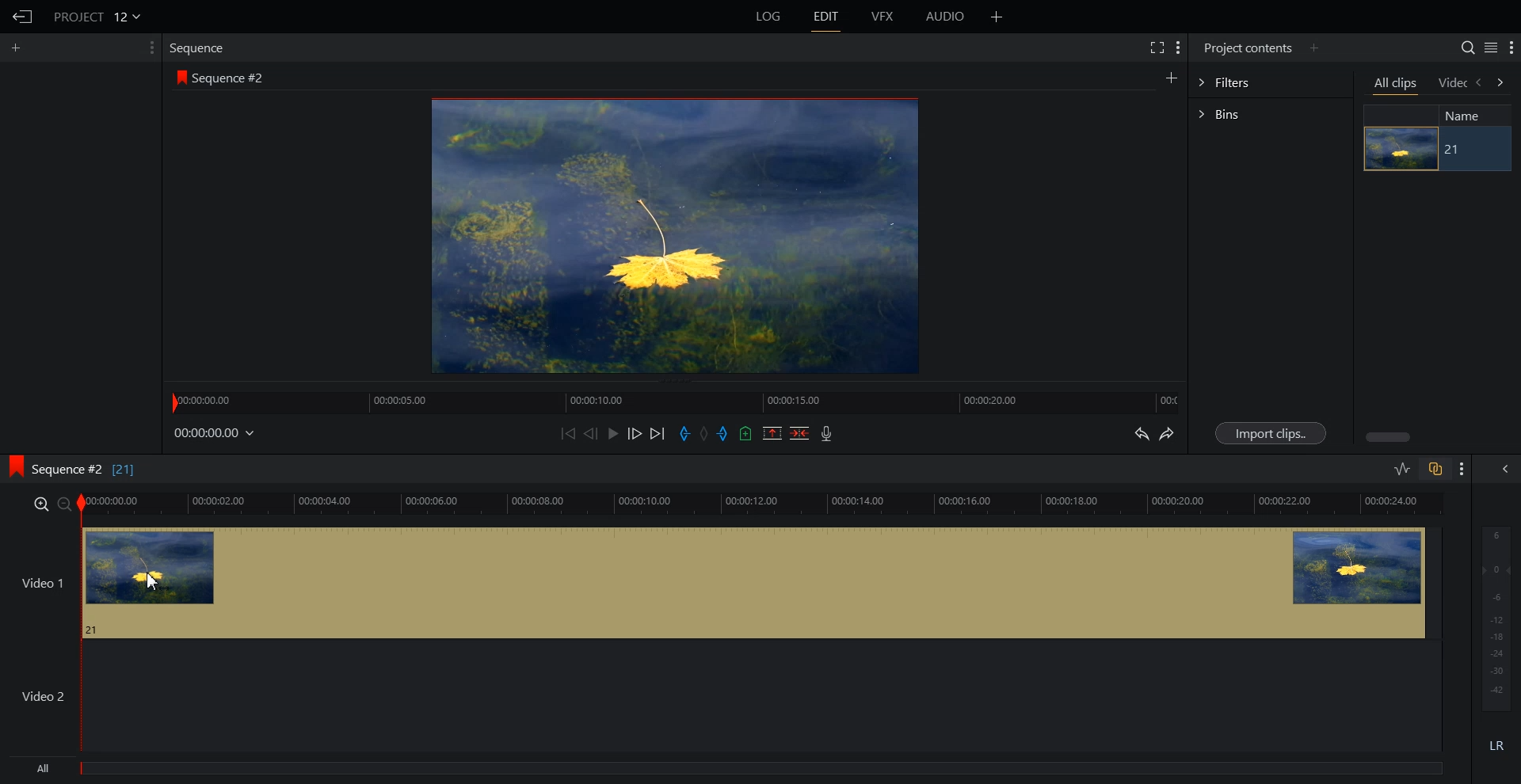  I want to click on Add out mark in the current video, so click(723, 434).